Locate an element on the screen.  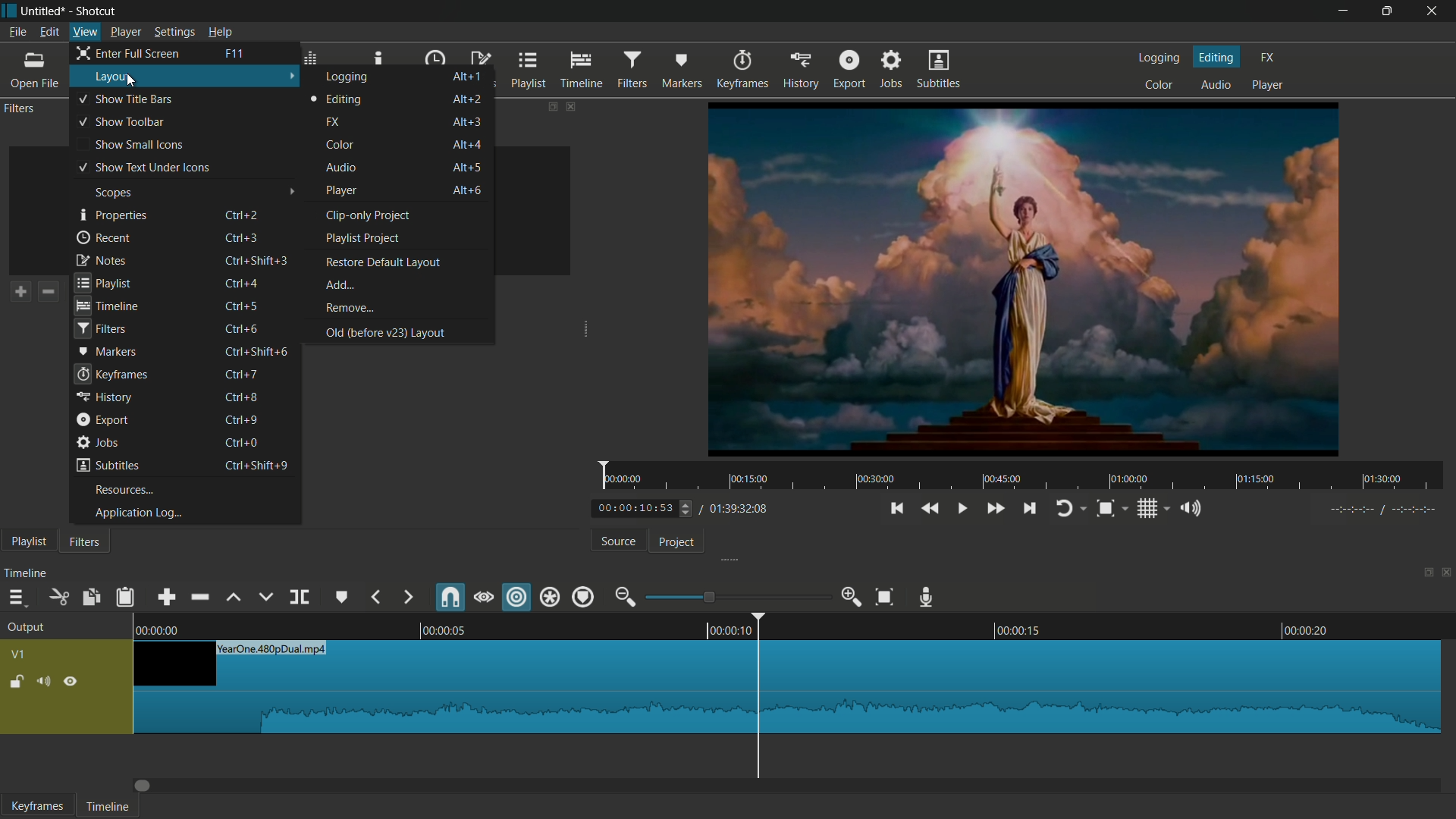
toggle play or pause is located at coordinates (961, 509).